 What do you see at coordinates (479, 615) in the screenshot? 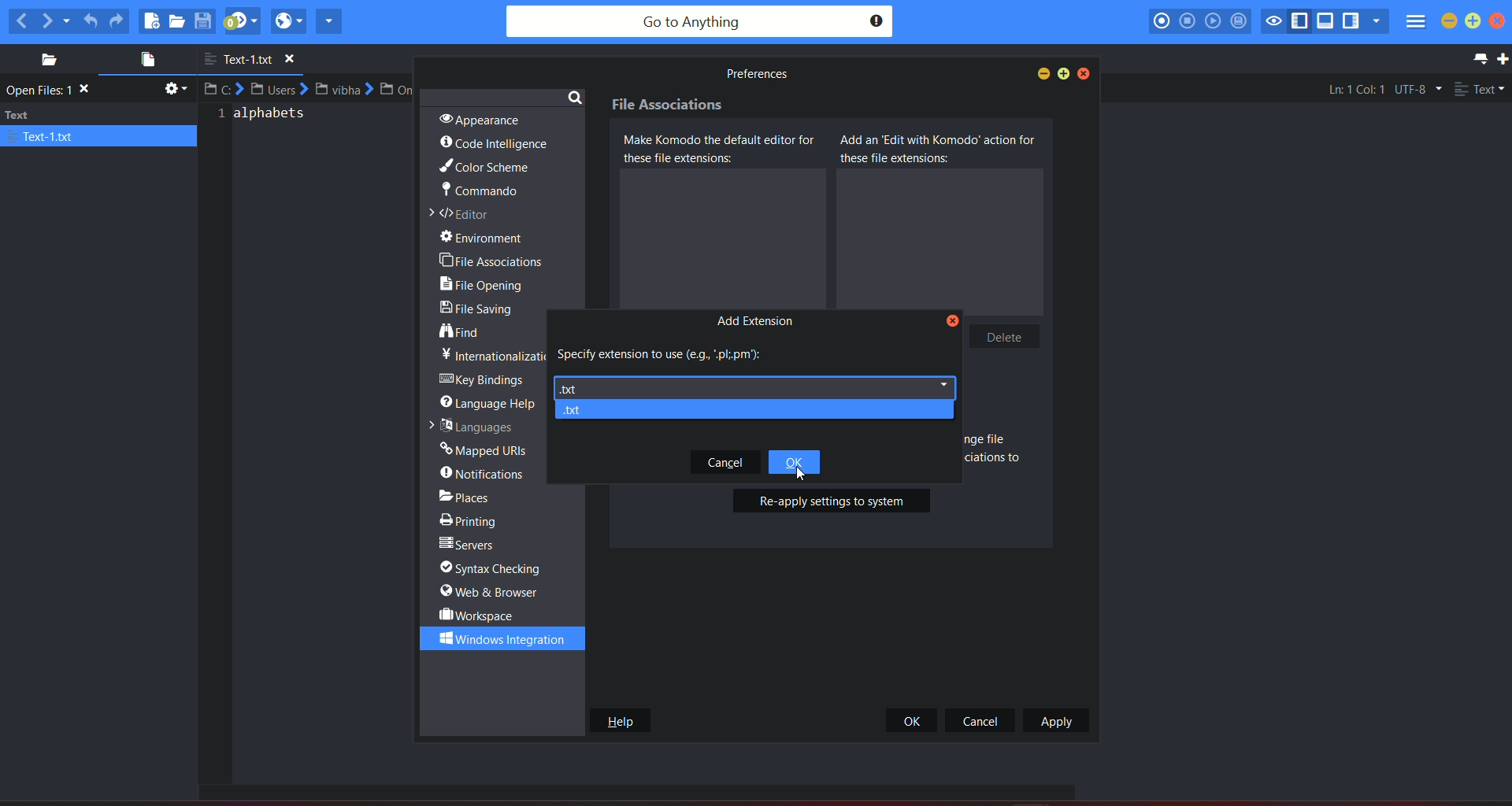
I see `workspace` at bounding box center [479, 615].